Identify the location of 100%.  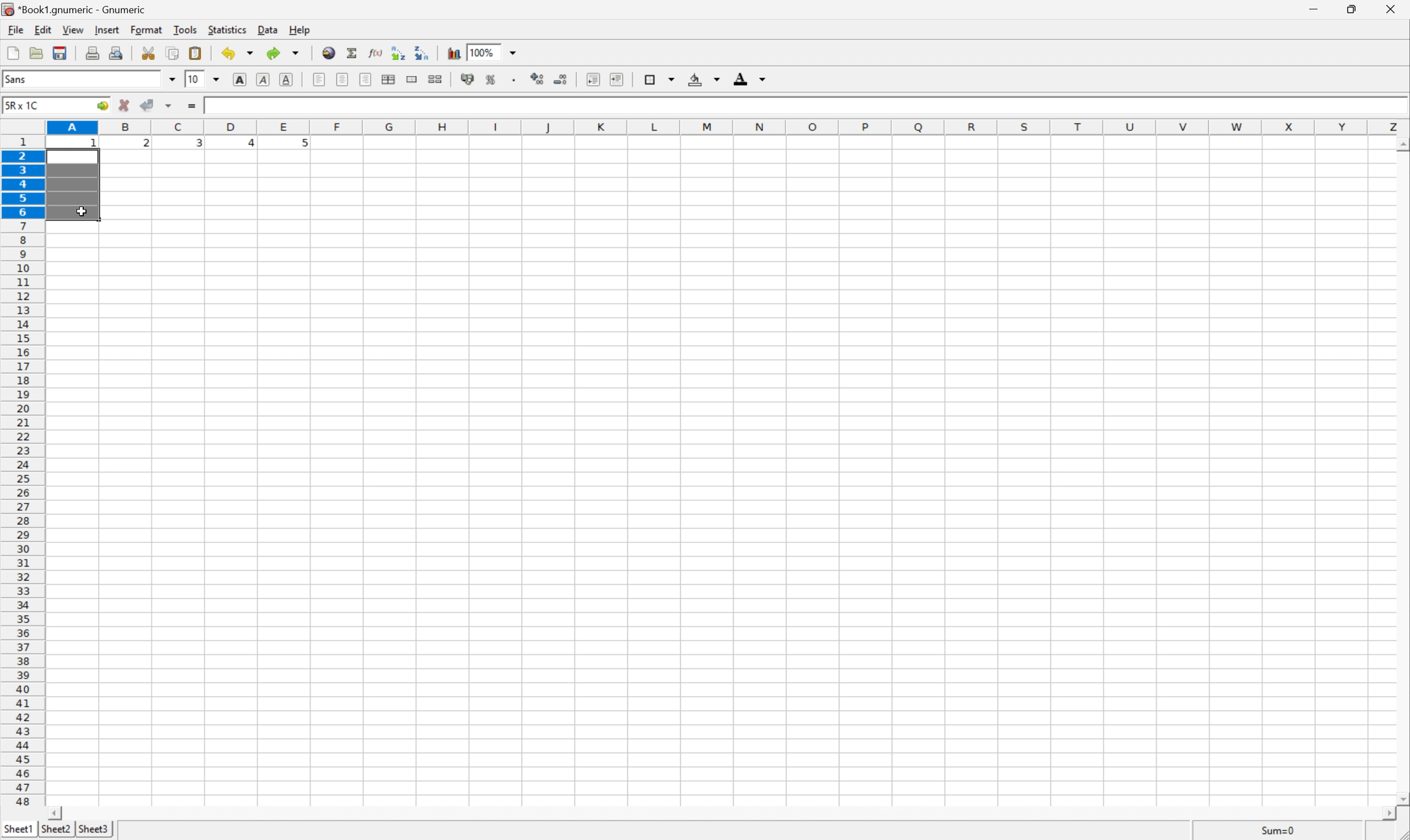
(484, 52).